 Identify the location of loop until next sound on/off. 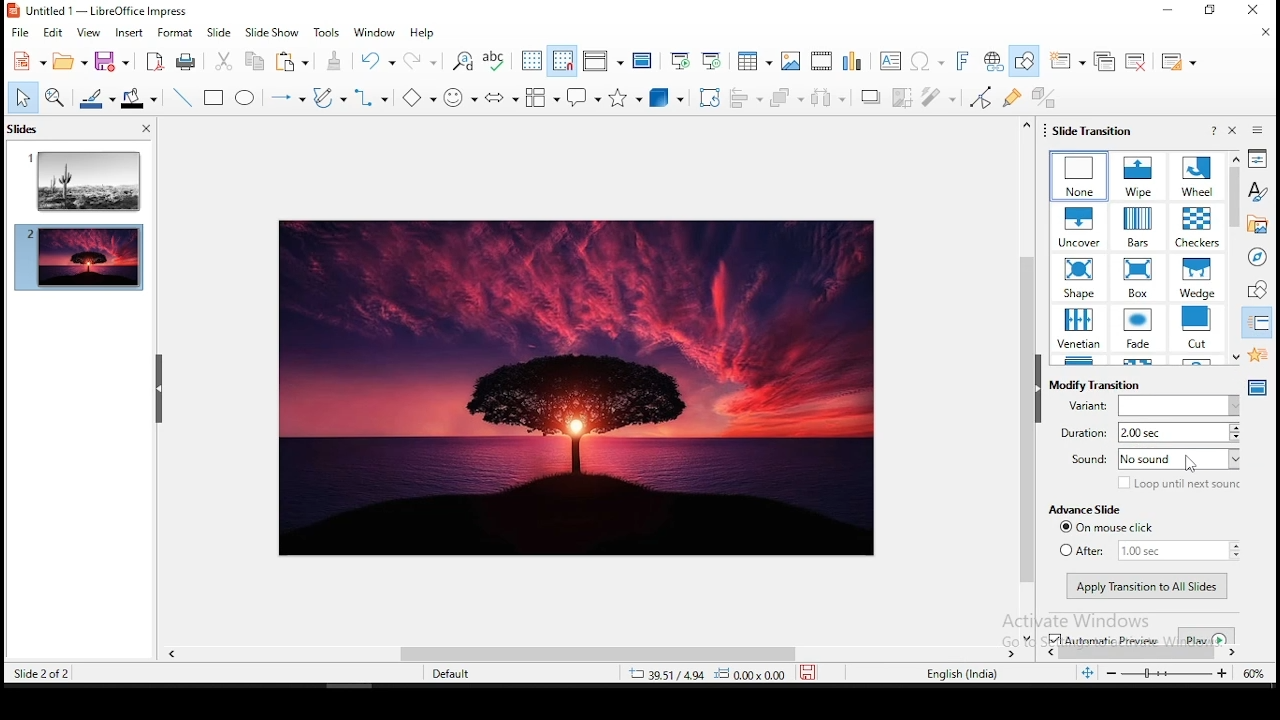
(1179, 484).